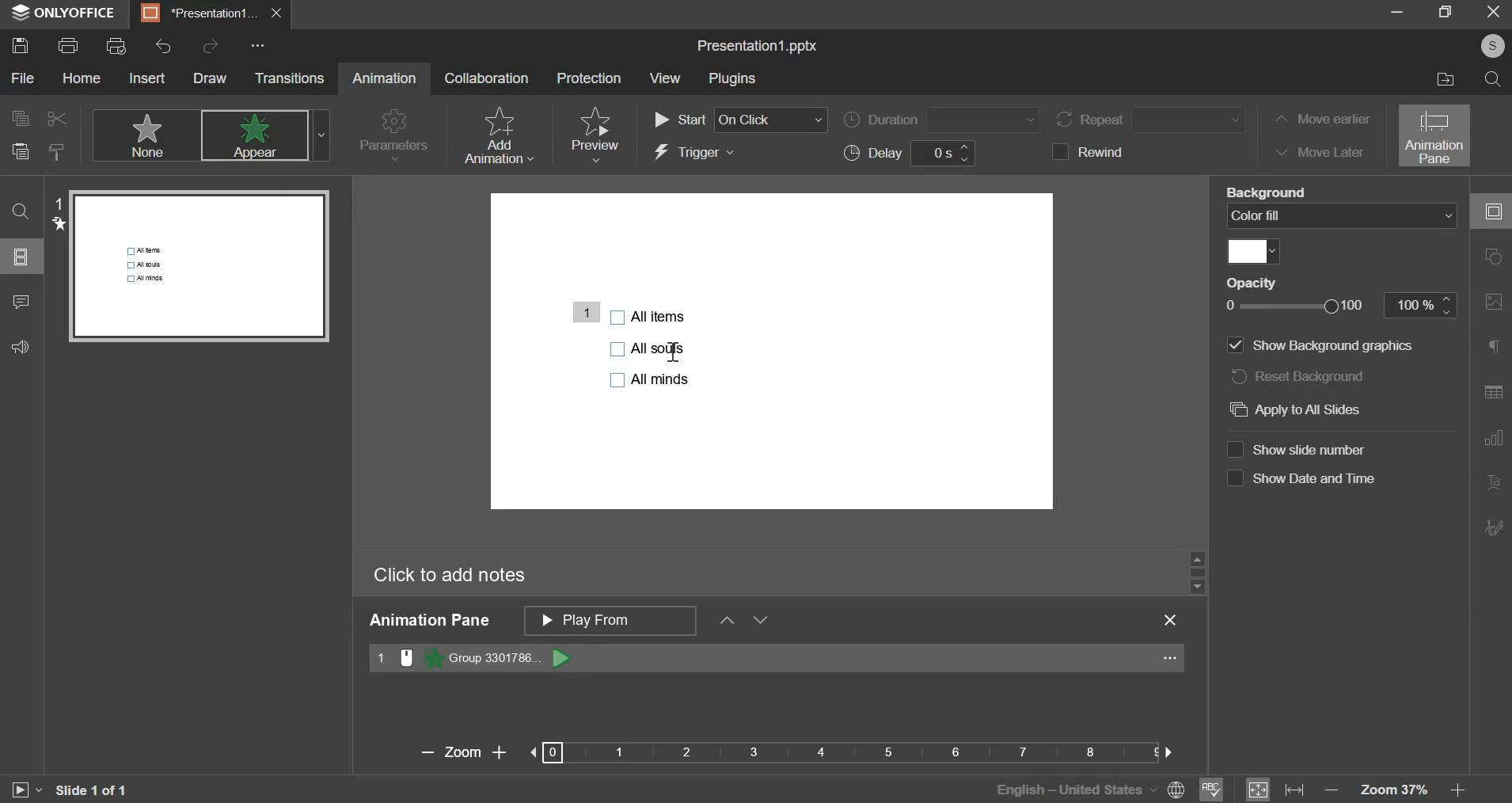 Image resolution: width=1512 pixels, height=803 pixels. Describe the element at coordinates (1153, 120) in the screenshot. I see `repeat` at that location.